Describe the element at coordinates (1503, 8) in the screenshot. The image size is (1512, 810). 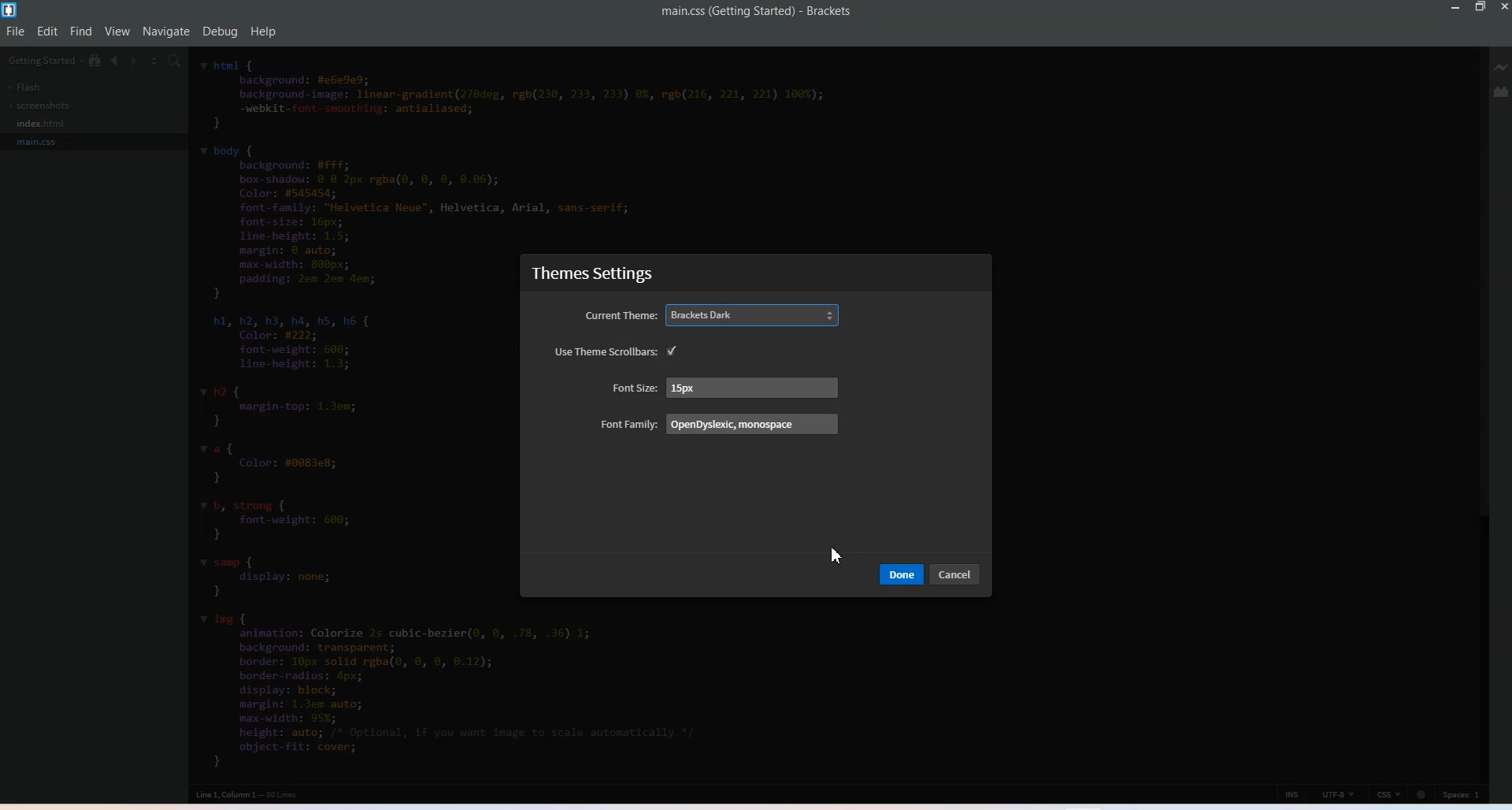
I see `Close` at that location.